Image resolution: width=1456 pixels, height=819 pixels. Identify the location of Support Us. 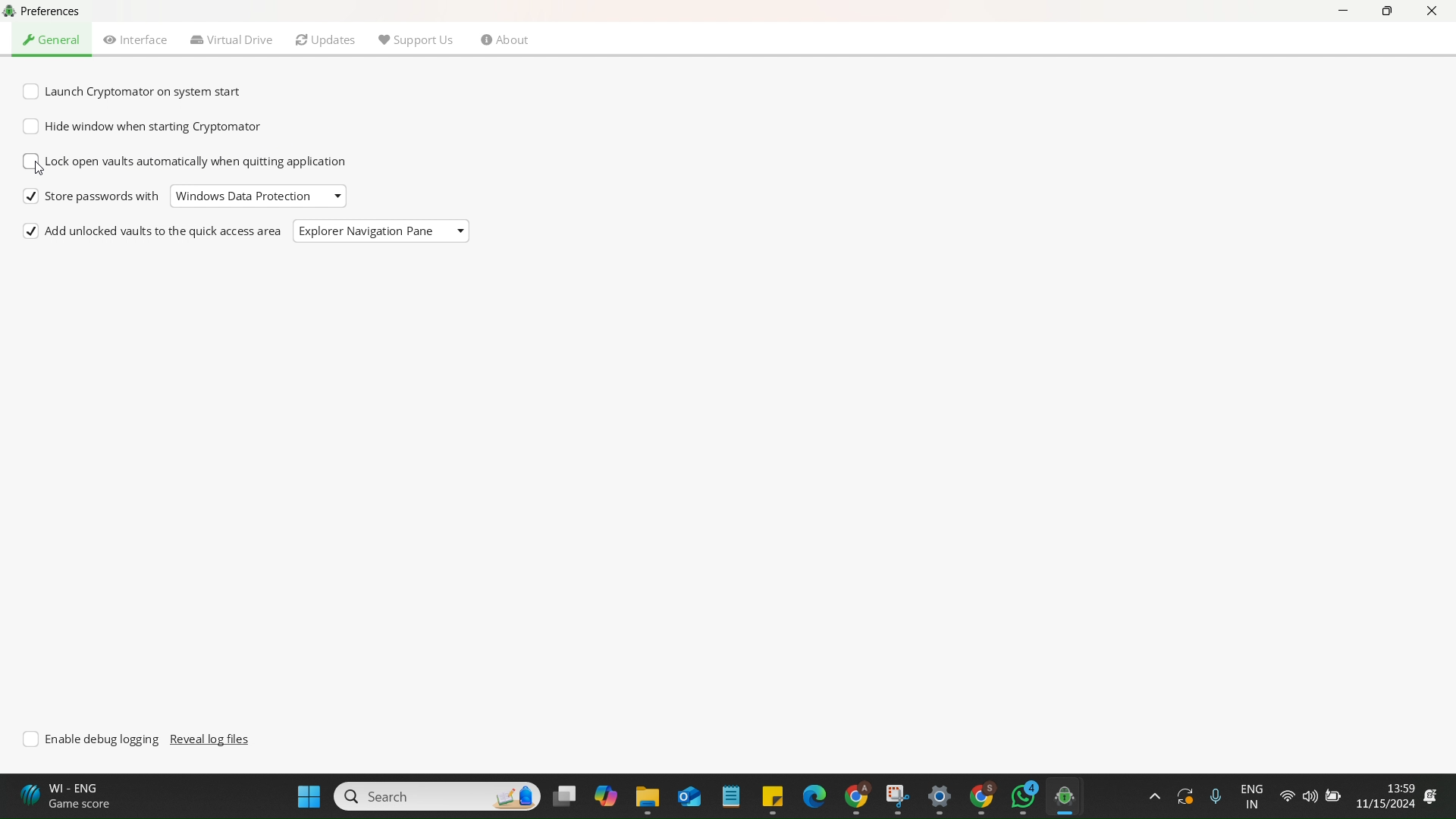
(415, 38).